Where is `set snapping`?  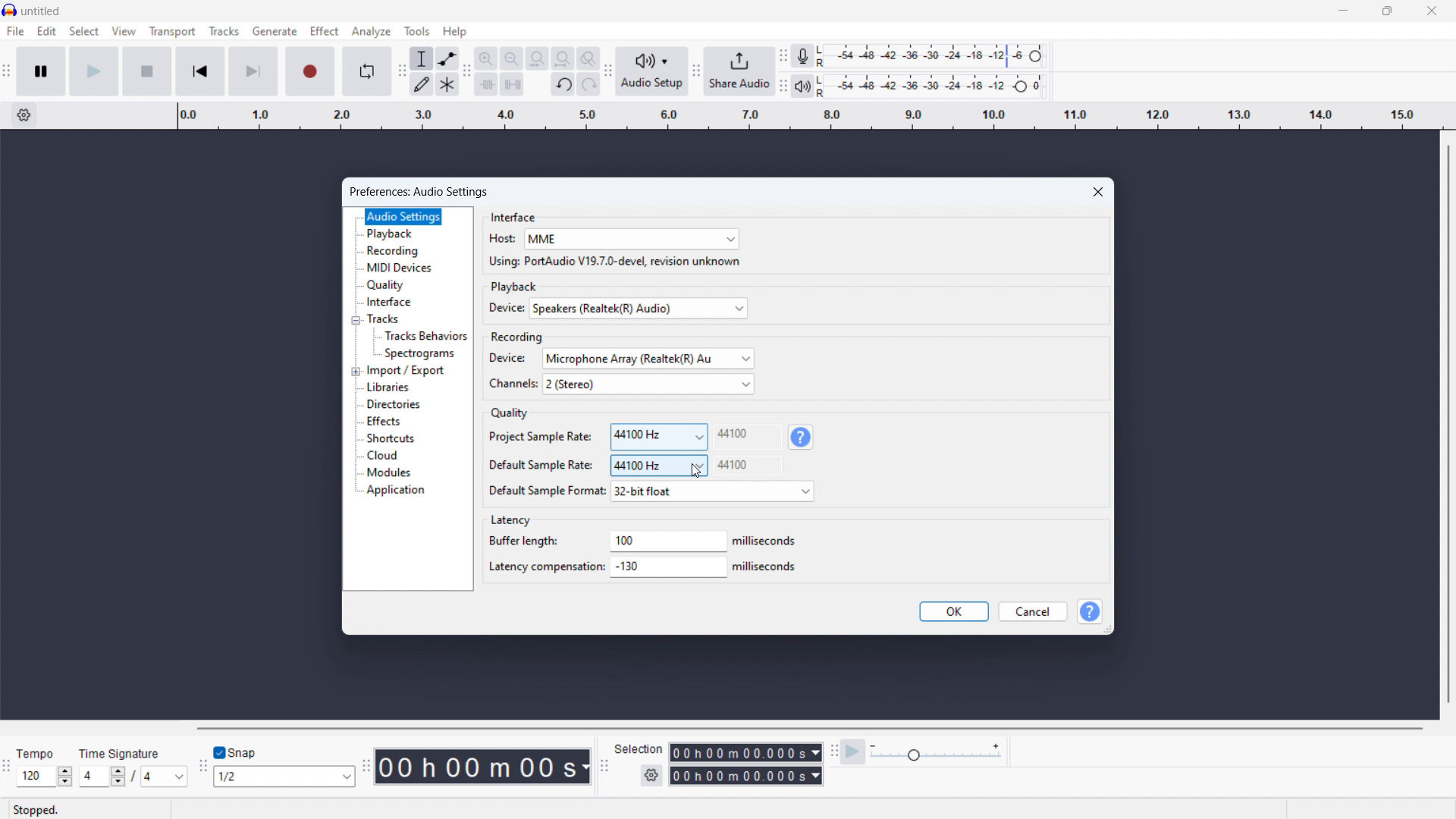 set snapping is located at coordinates (284, 776).